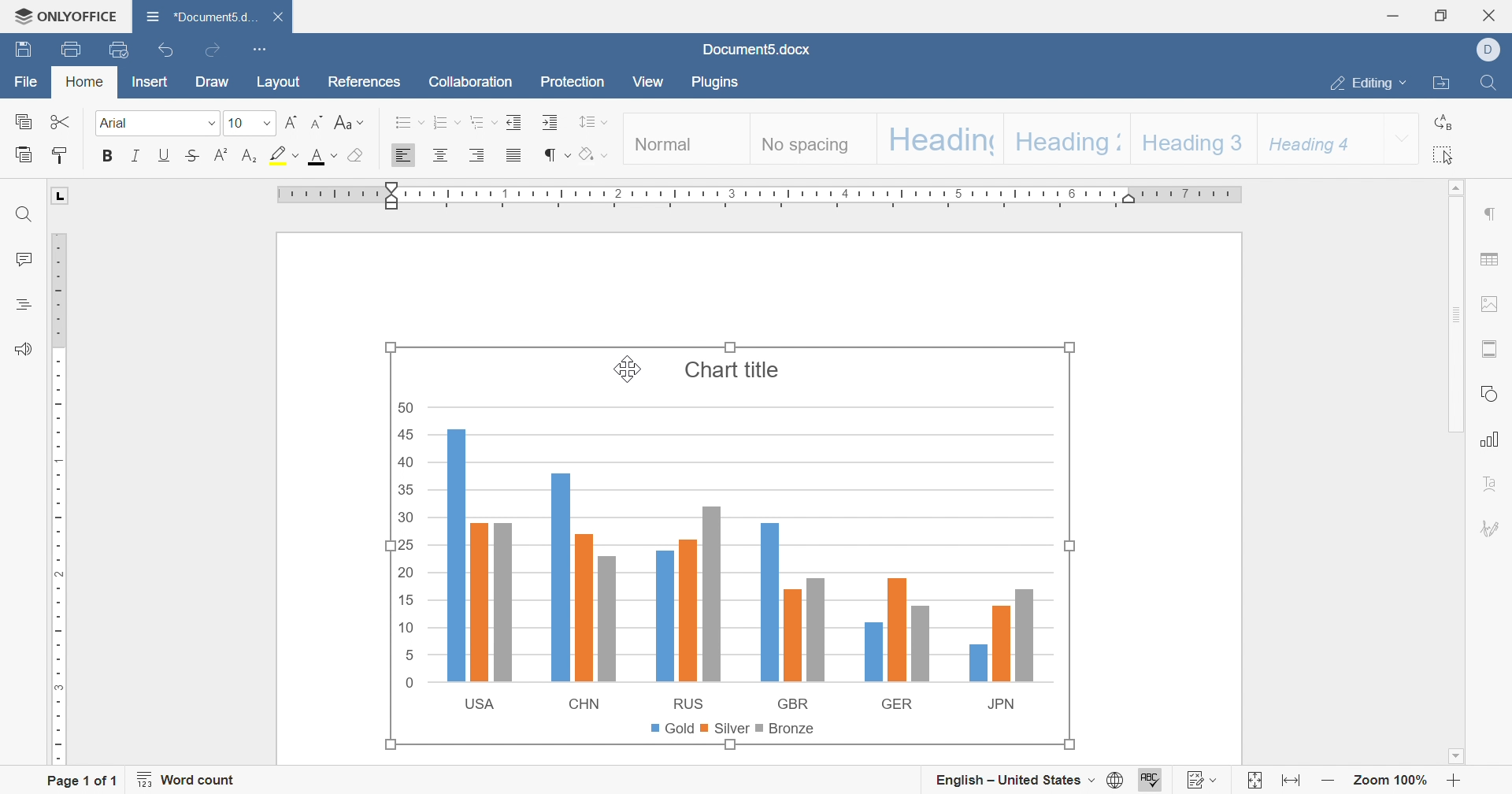  Describe the element at coordinates (1392, 779) in the screenshot. I see `zoom 100%` at that location.